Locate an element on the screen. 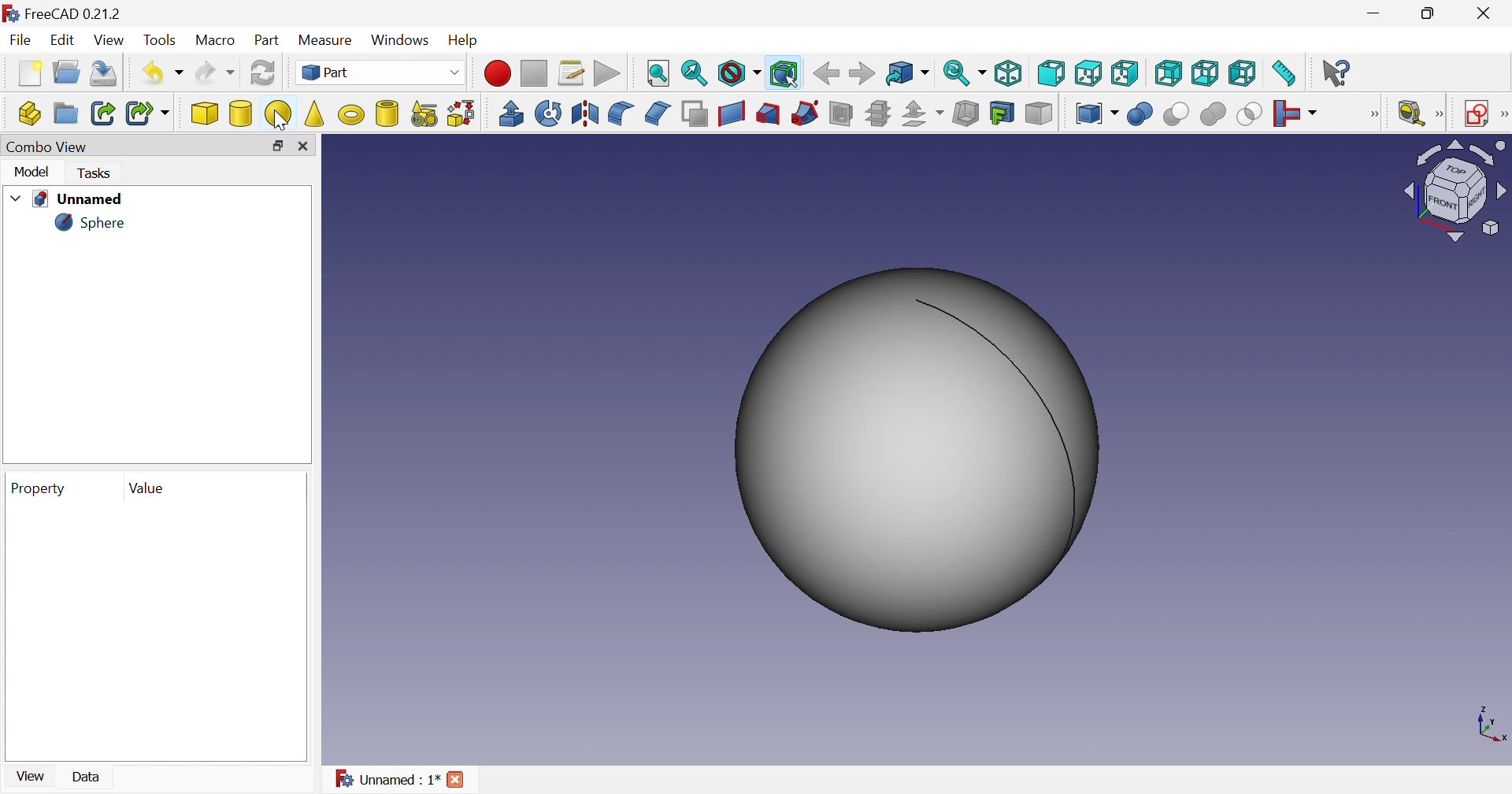 Image resolution: width=1512 pixels, height=794 pixels. Fillet is located at coordinates (621, 113).